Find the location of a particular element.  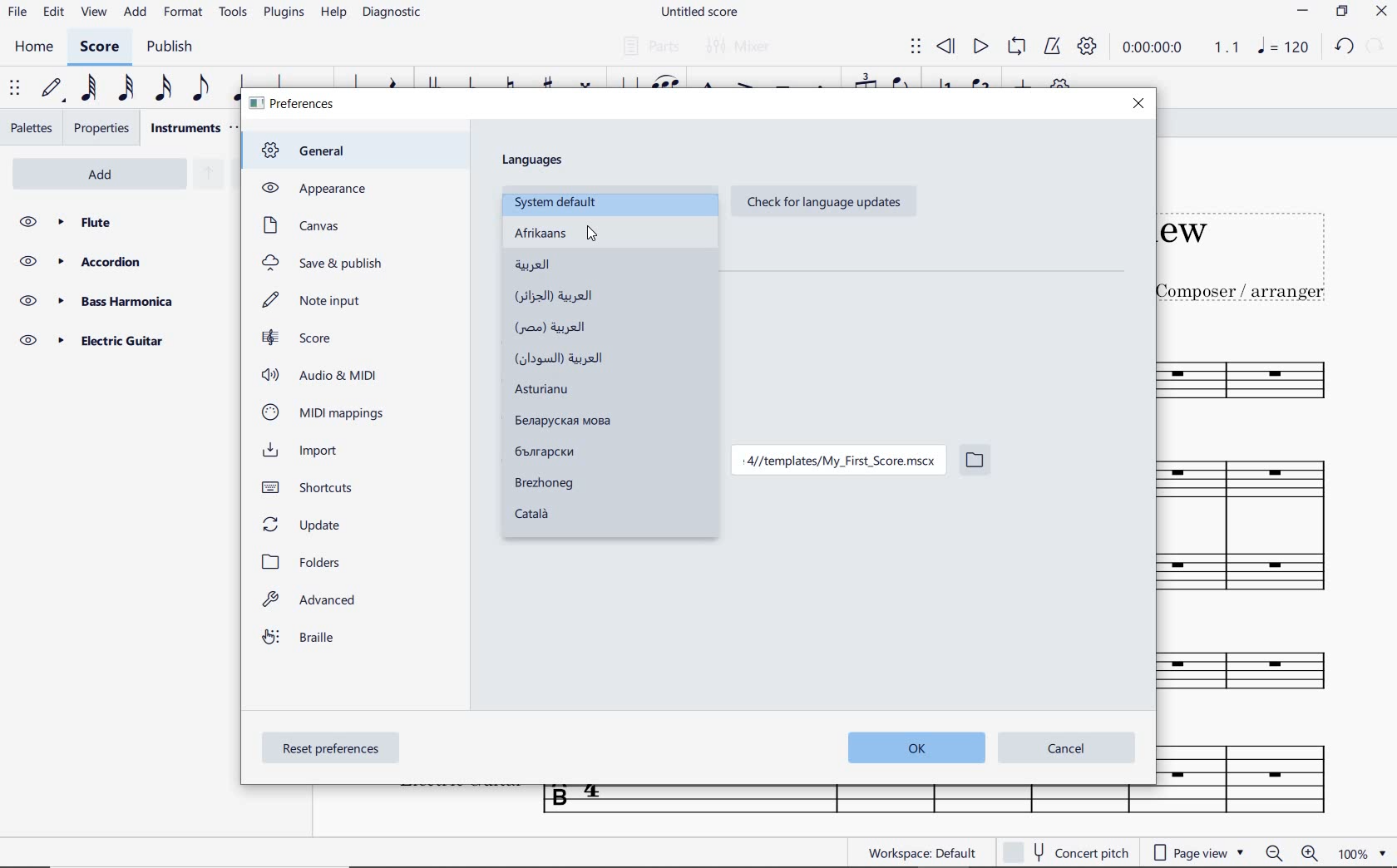

Instrument: Flute is located at coordinates (1266, 377).